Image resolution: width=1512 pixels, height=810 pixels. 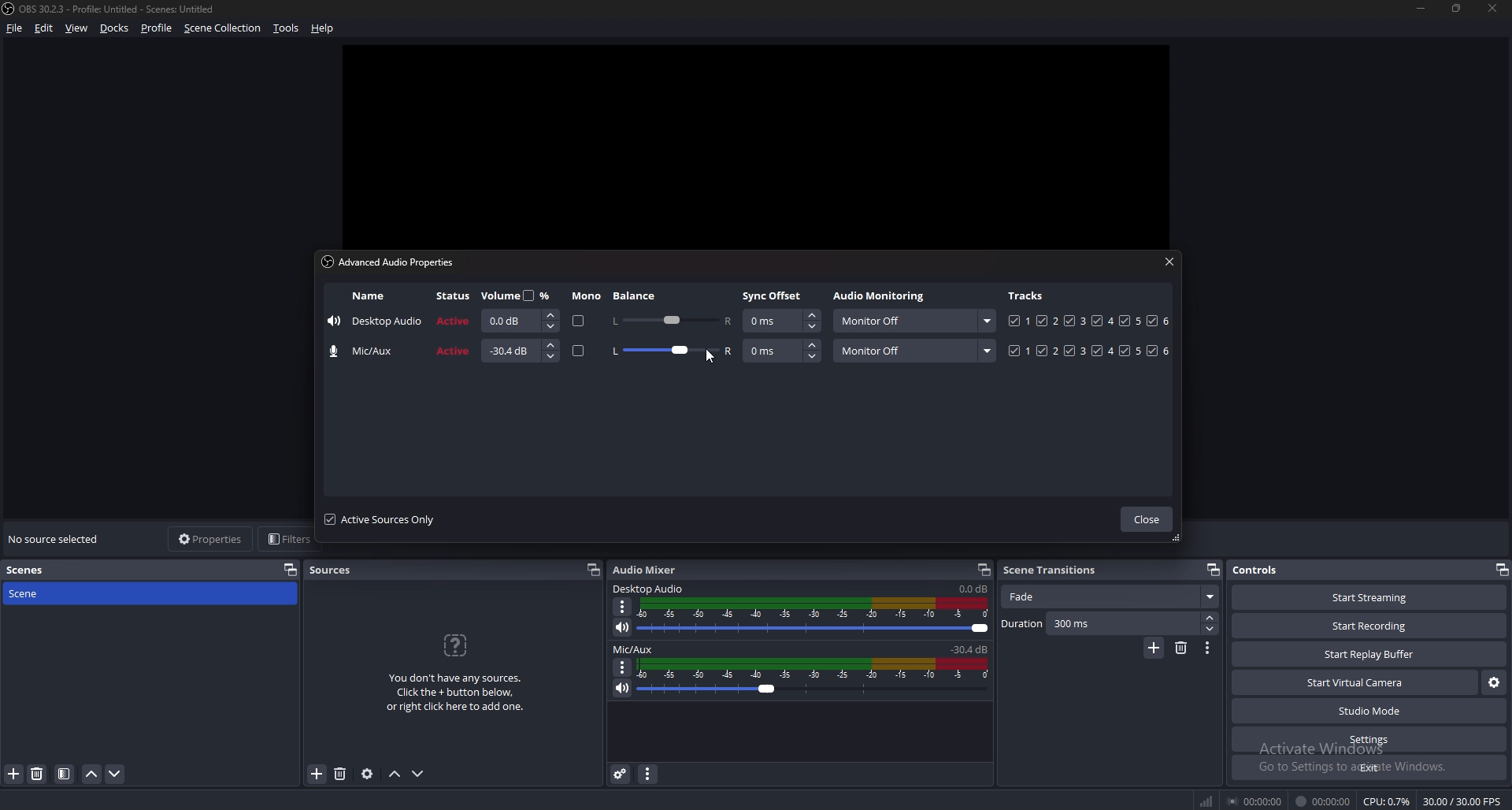 I want to click on mute, so click(x=624, y=626).